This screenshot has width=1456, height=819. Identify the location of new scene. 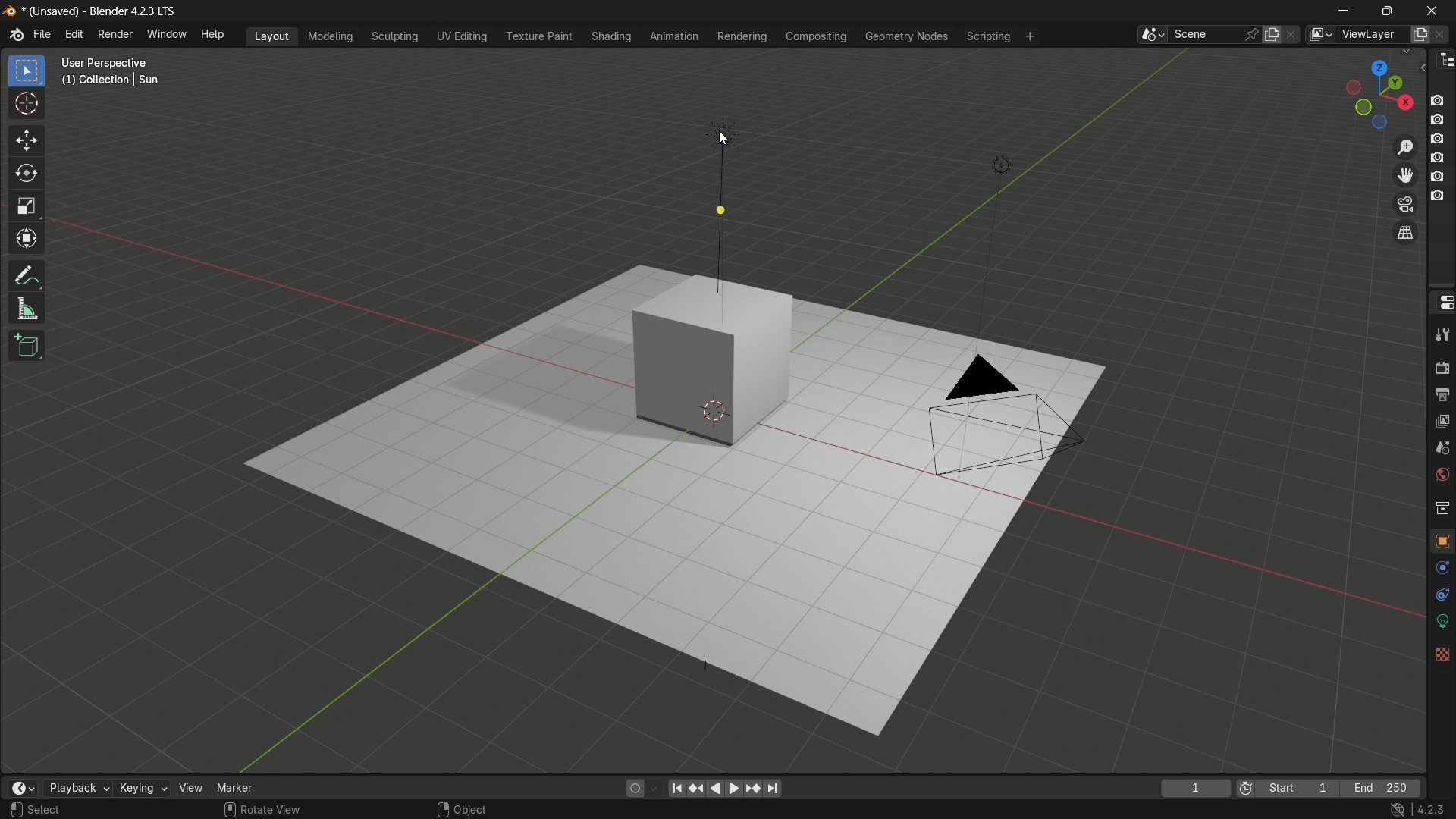
(1272, 33).